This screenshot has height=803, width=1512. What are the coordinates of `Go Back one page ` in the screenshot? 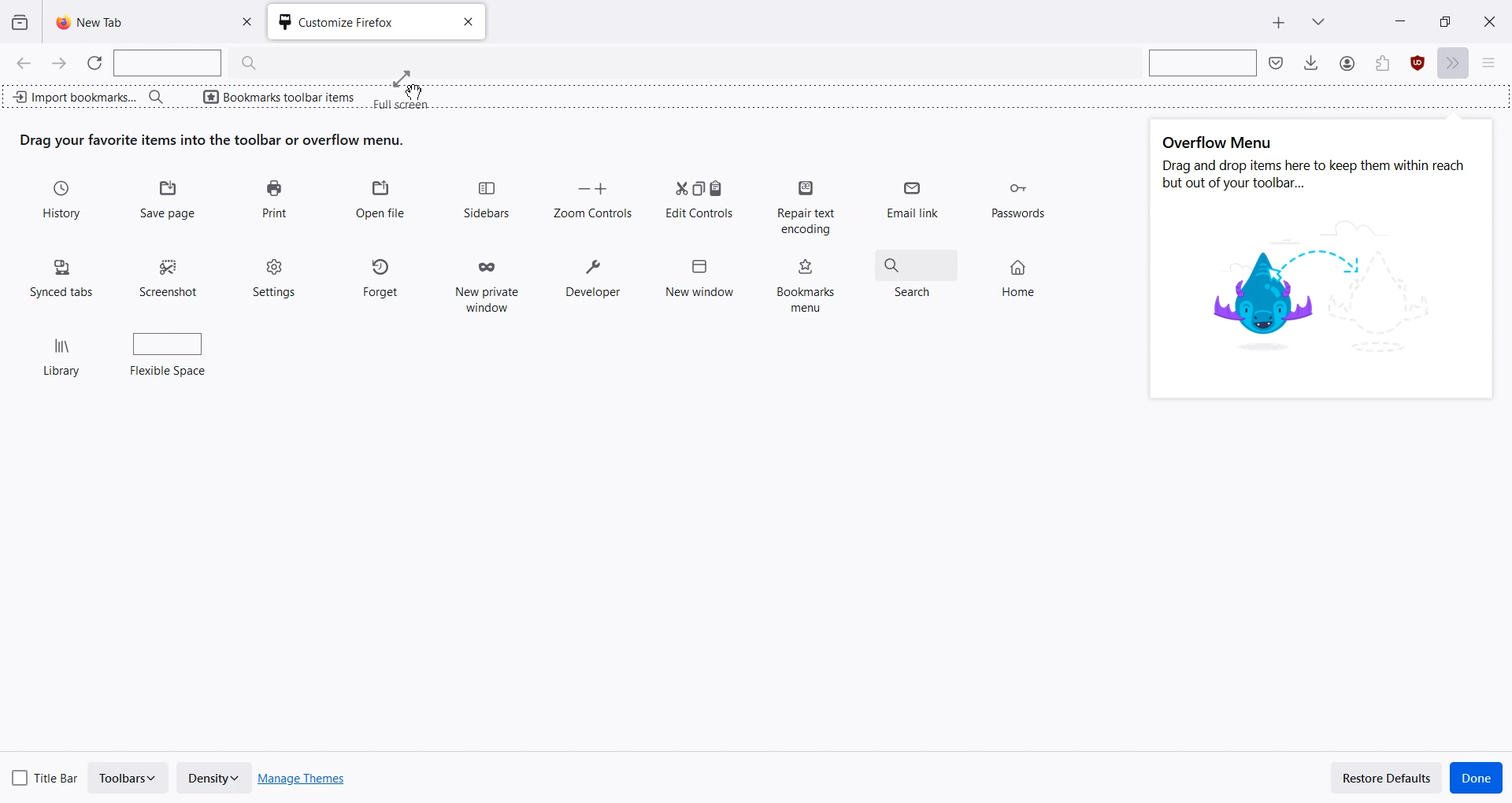 It's located at (22, 62).